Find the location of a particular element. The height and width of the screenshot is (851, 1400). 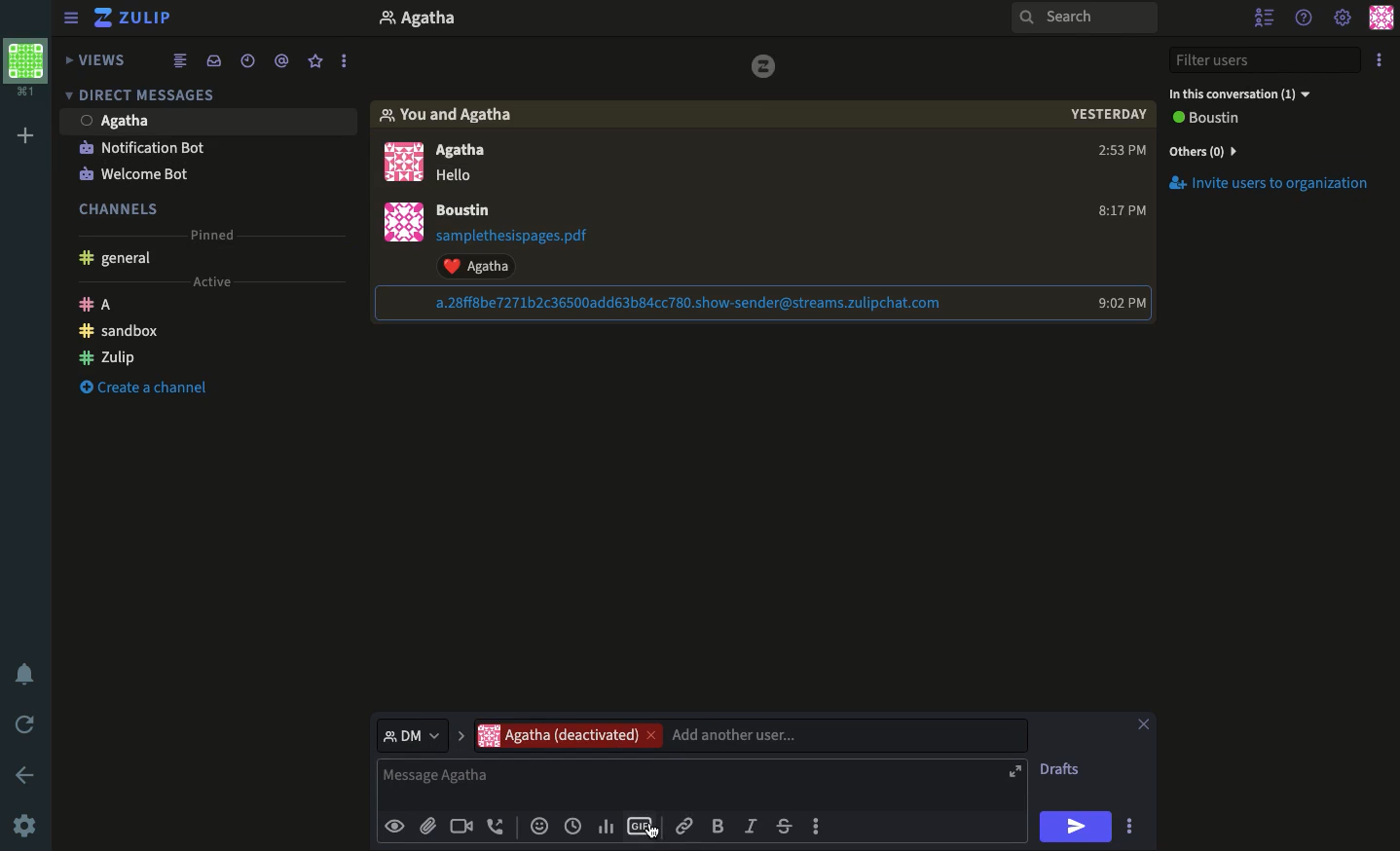

Profile is located at coordinates (399, 160).